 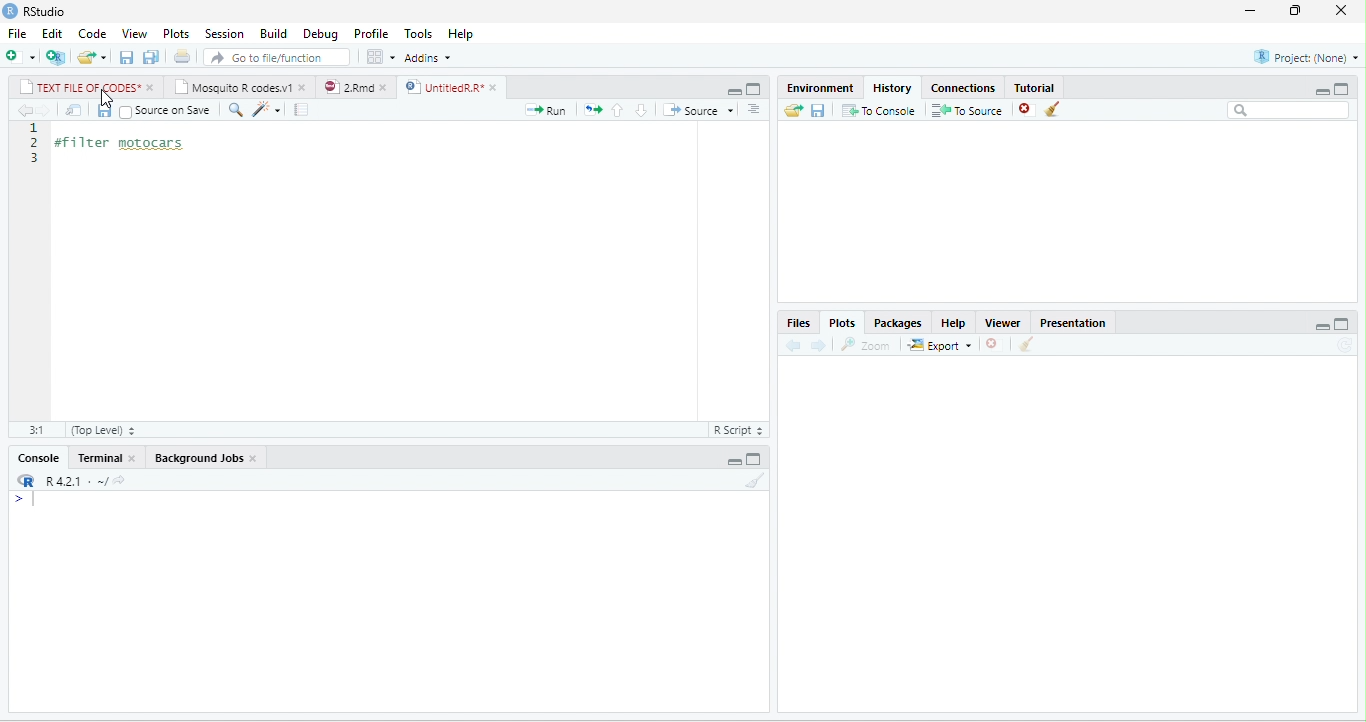 What do you see at coordinates (267, 110) in the screenshot?
I see `code tools` at bounding box center [267, 110].